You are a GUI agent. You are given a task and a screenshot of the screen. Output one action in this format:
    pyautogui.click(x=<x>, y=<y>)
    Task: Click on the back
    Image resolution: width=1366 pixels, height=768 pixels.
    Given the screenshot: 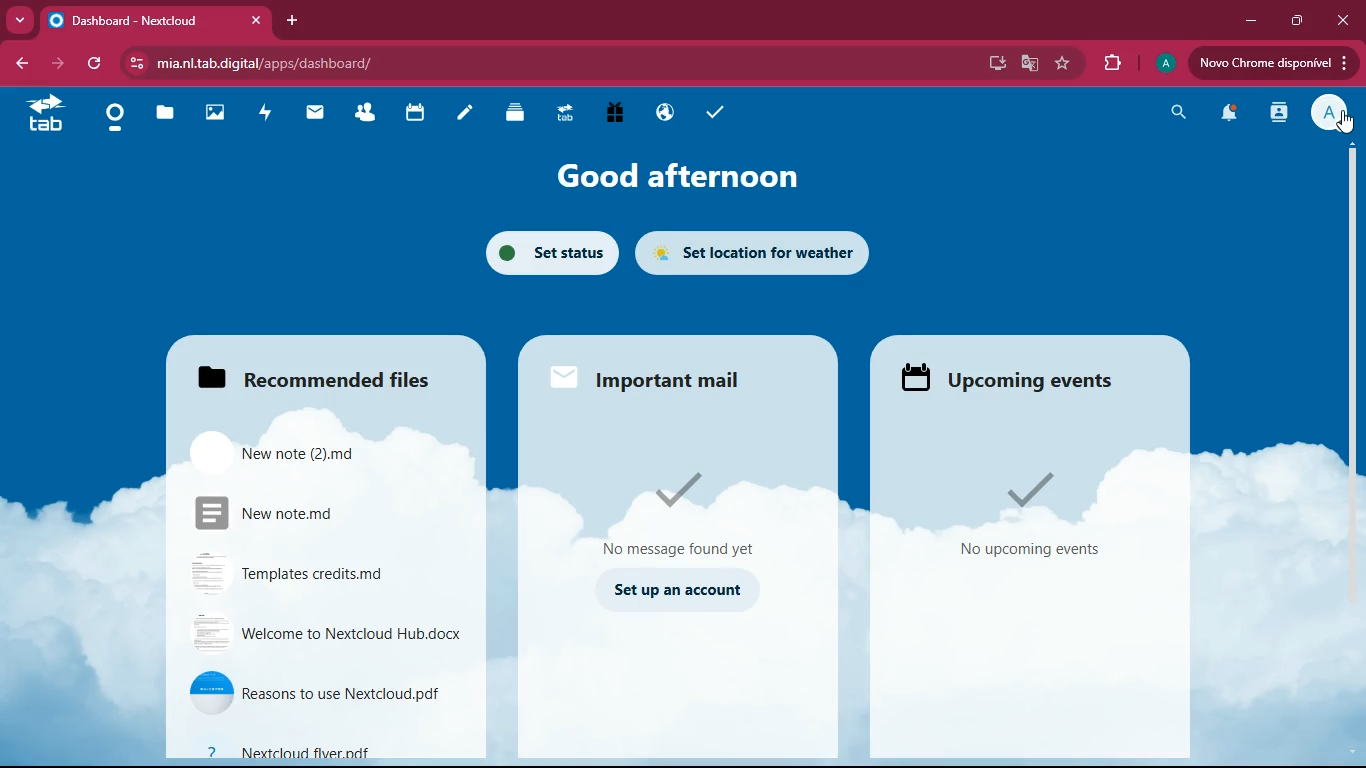 What is the action you would take?
    pyautogui.click(x=21, y=65)
    